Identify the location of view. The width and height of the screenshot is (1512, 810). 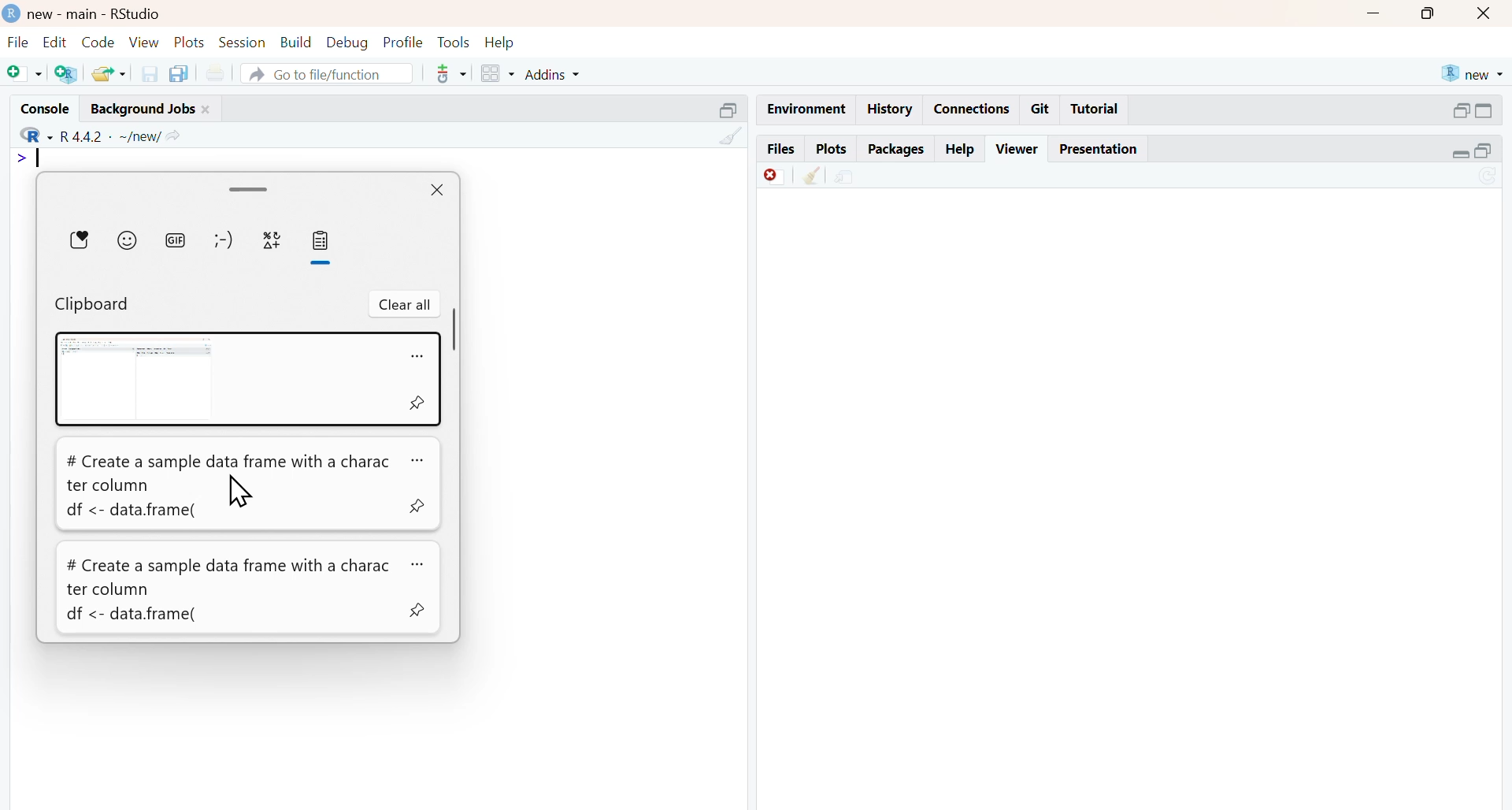
(144, 43).